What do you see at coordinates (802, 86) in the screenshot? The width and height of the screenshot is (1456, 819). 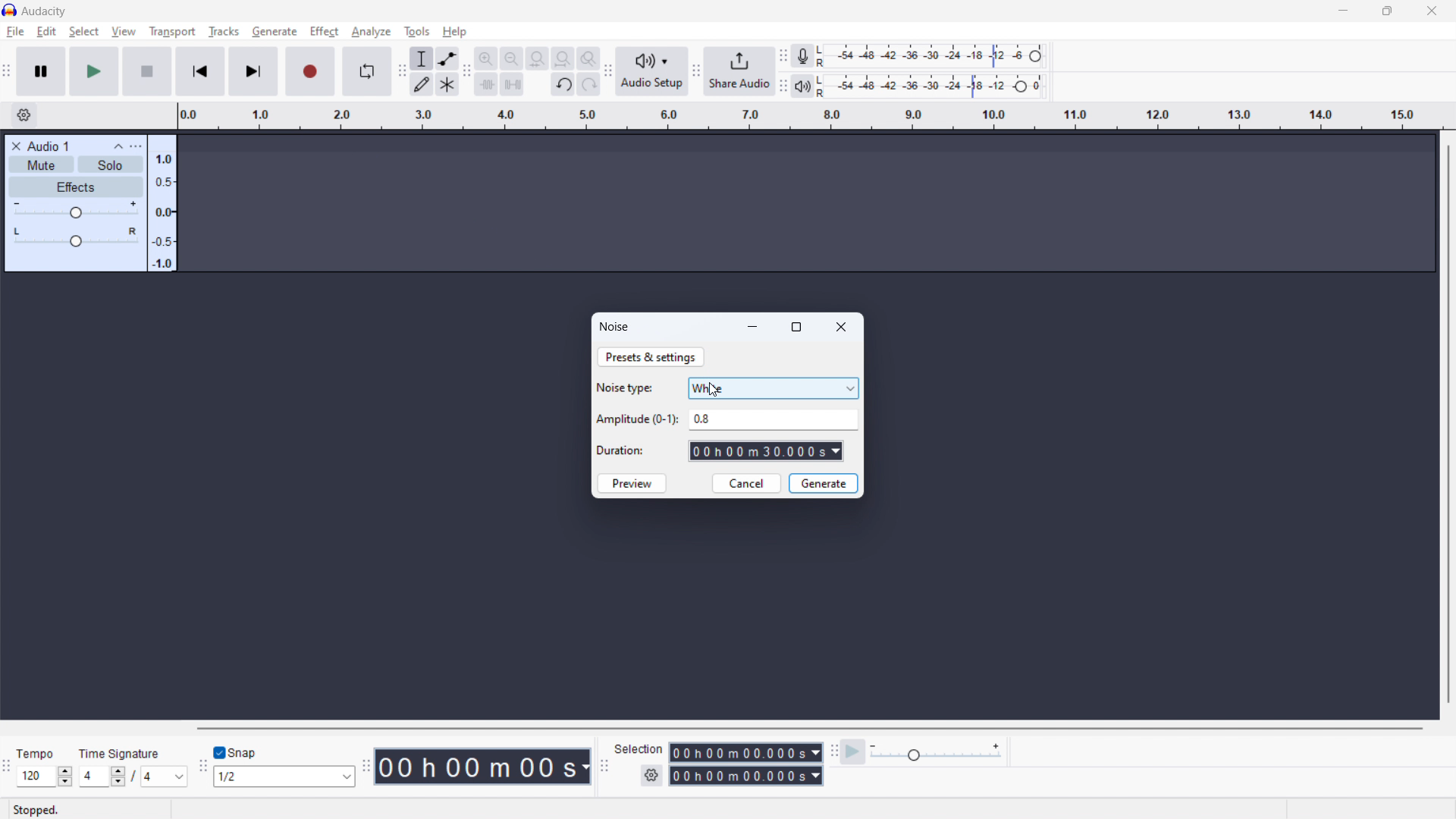 I see `playback meter ` at bounding box center [802, 86].